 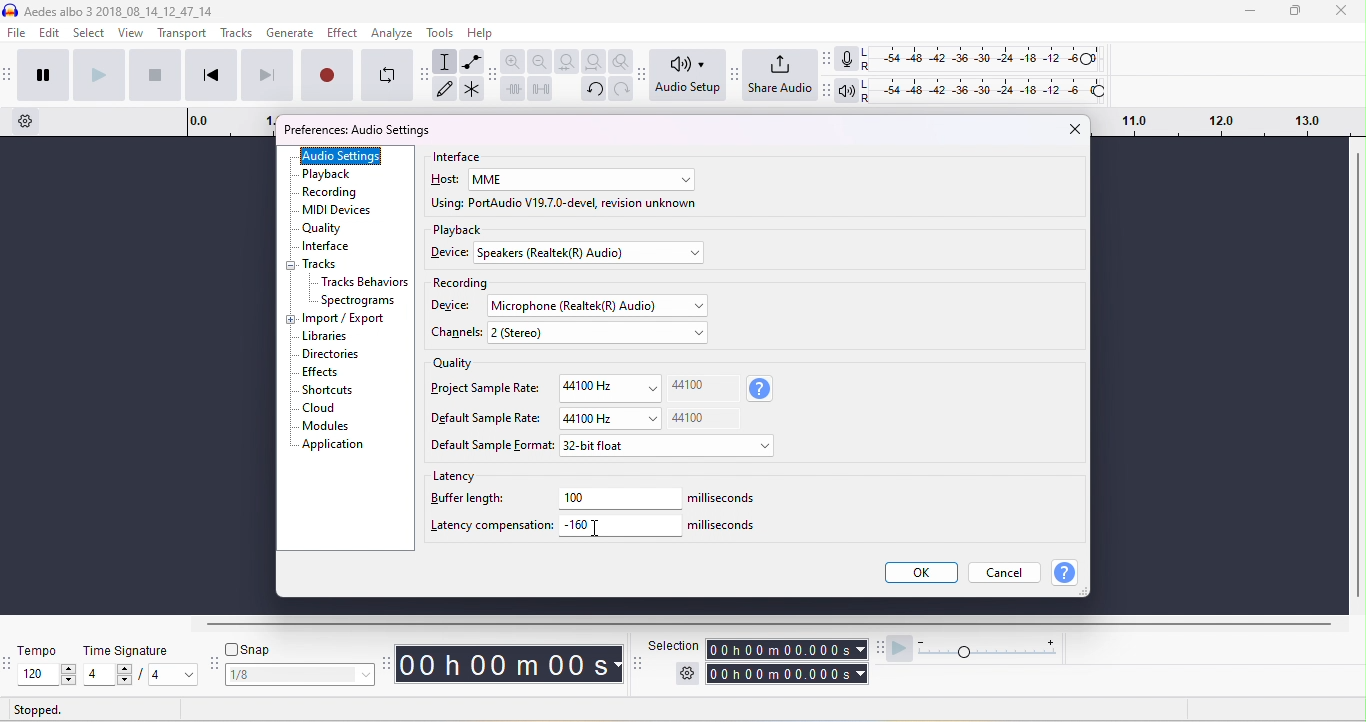 I want to click on select device, so click(x=590, y=254).